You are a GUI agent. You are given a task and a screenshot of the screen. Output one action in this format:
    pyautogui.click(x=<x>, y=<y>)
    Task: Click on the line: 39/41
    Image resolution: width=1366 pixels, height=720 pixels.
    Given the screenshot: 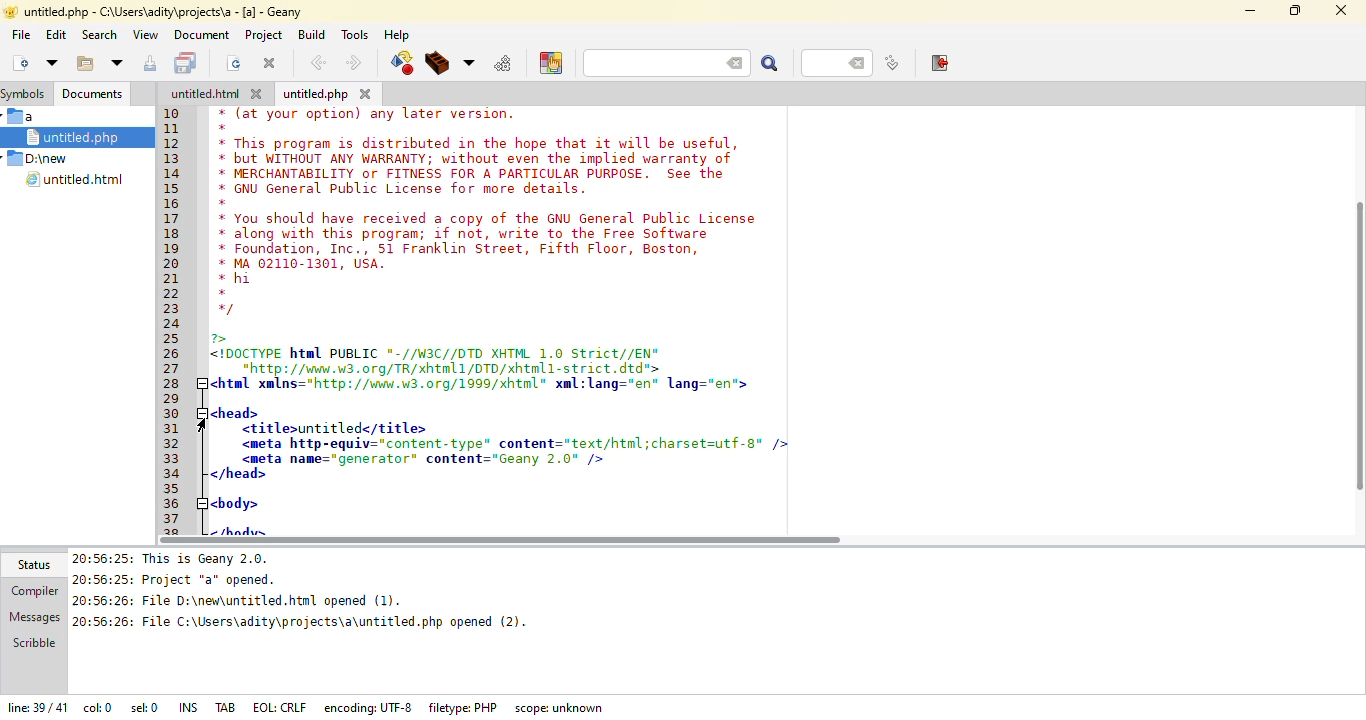 What is the action you would take?
    pyautogui.click(x=37, y=706)
    